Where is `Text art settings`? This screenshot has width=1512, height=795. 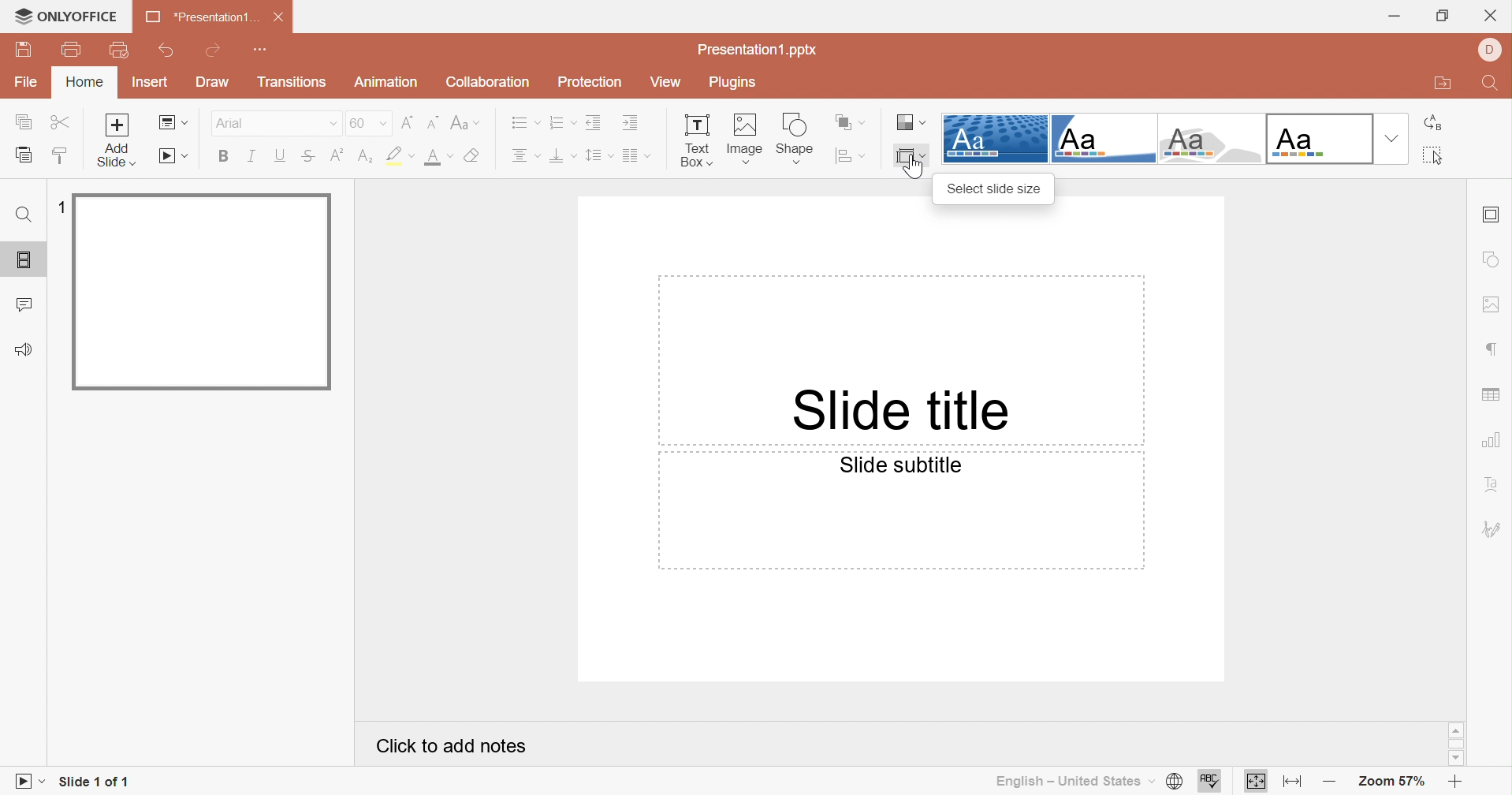 Text art settings is located at coordinates (1494, 483).